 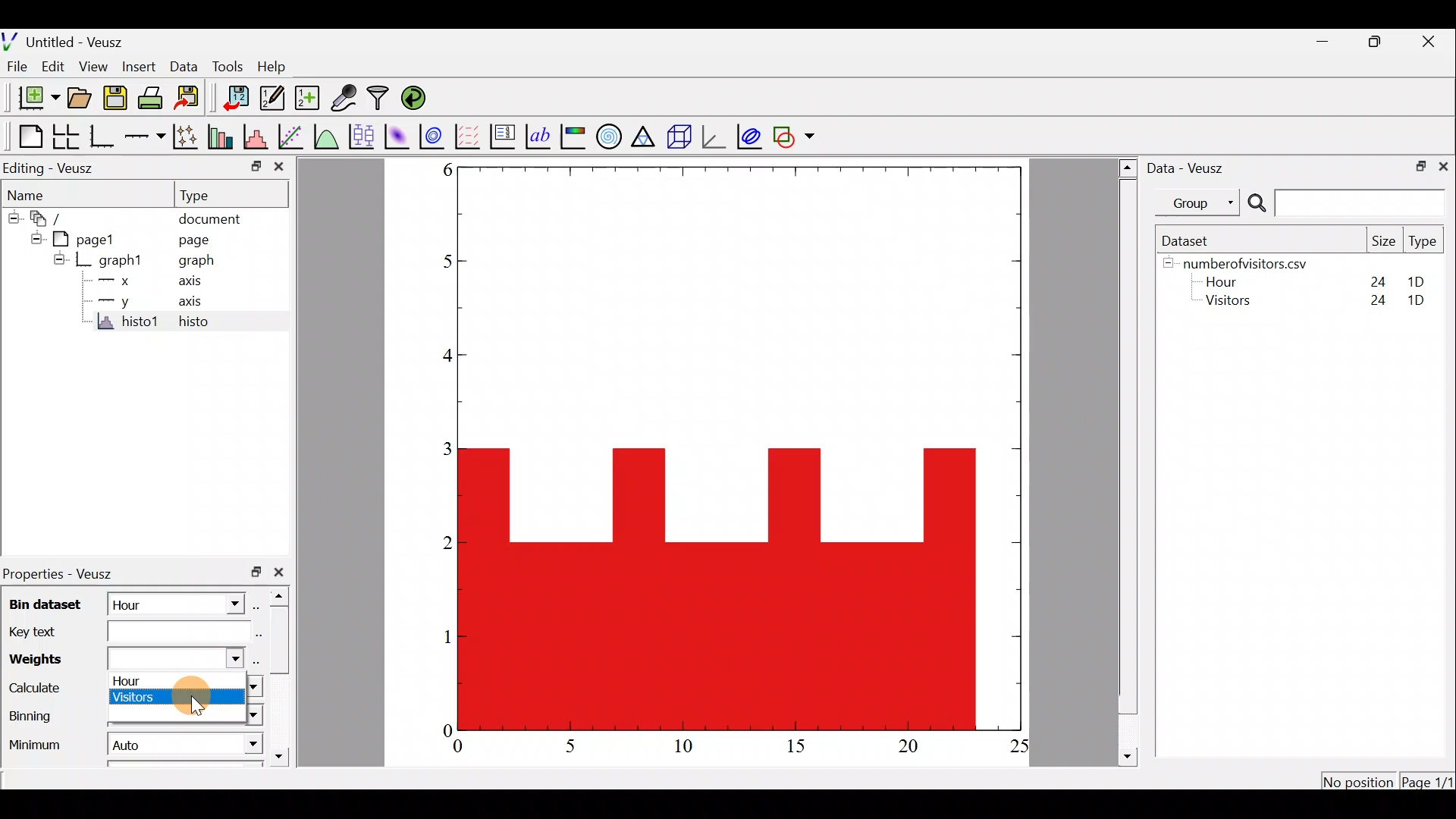 What do you see at coordinates (467, 747) in the screenshot?
I see `0` at bounding box center [467, 747].